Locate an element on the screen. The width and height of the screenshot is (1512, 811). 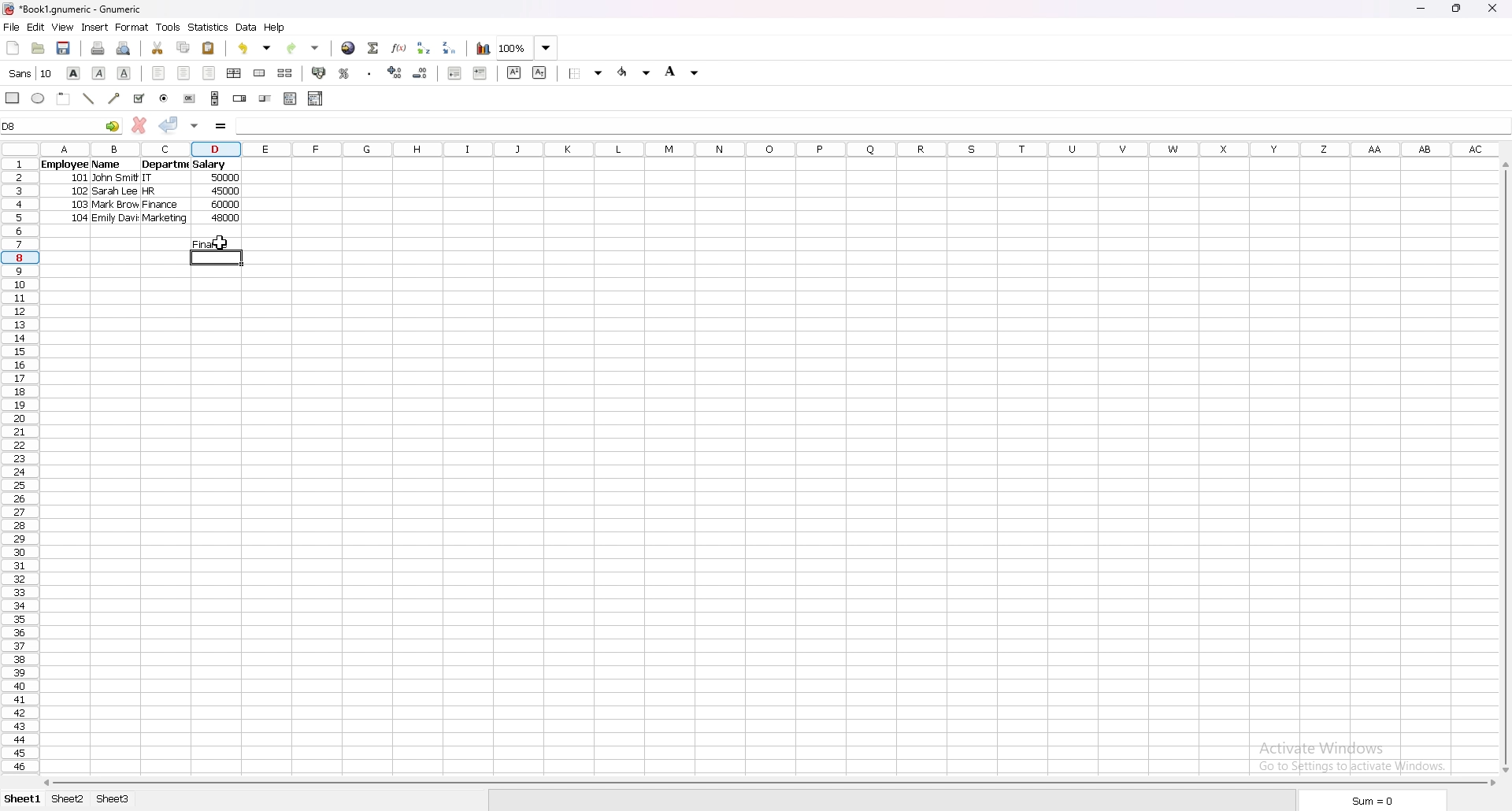
rectangle is located at coordinates (13, 98).